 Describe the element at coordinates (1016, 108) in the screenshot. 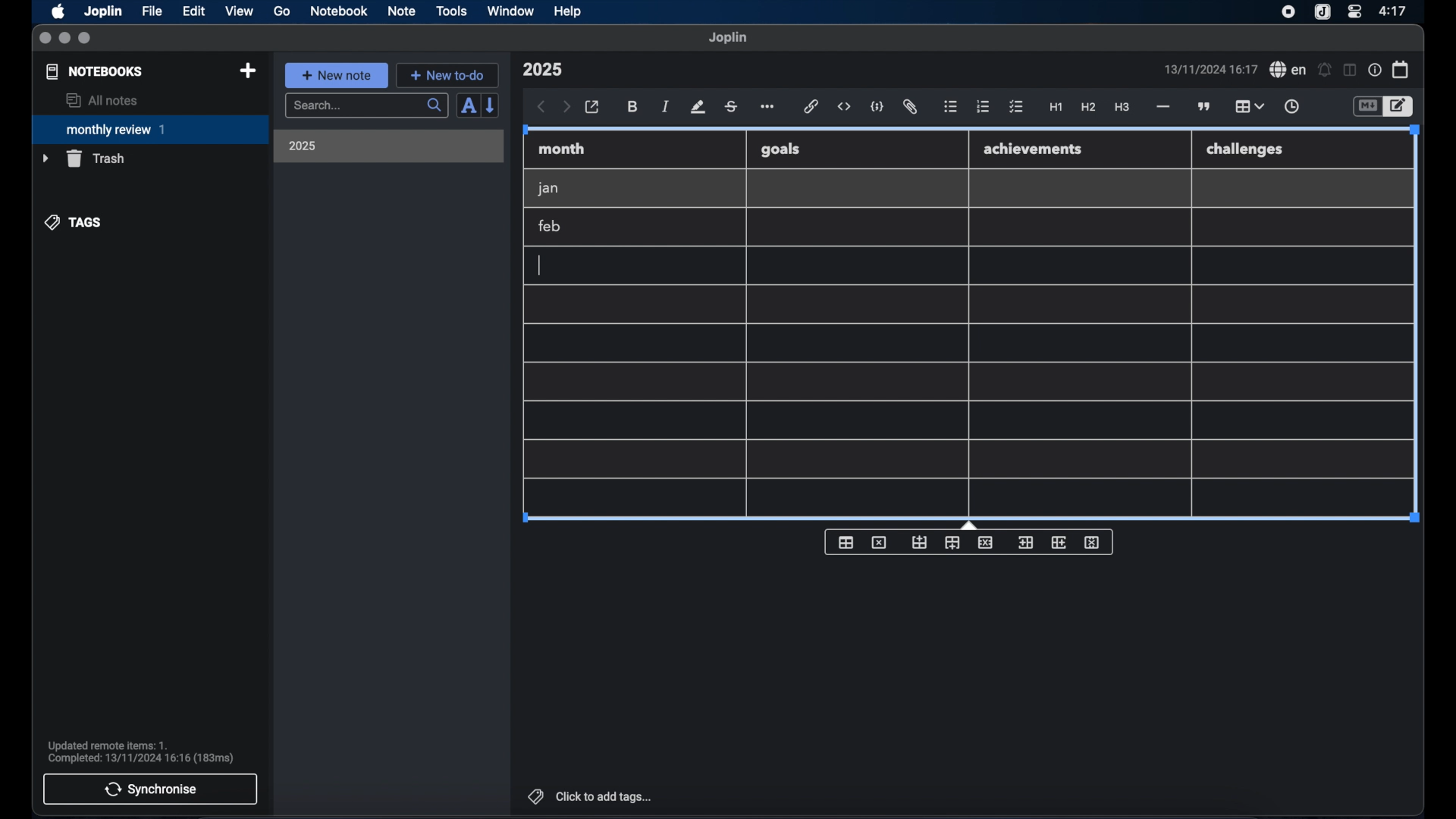

I see `check  list` at that location.